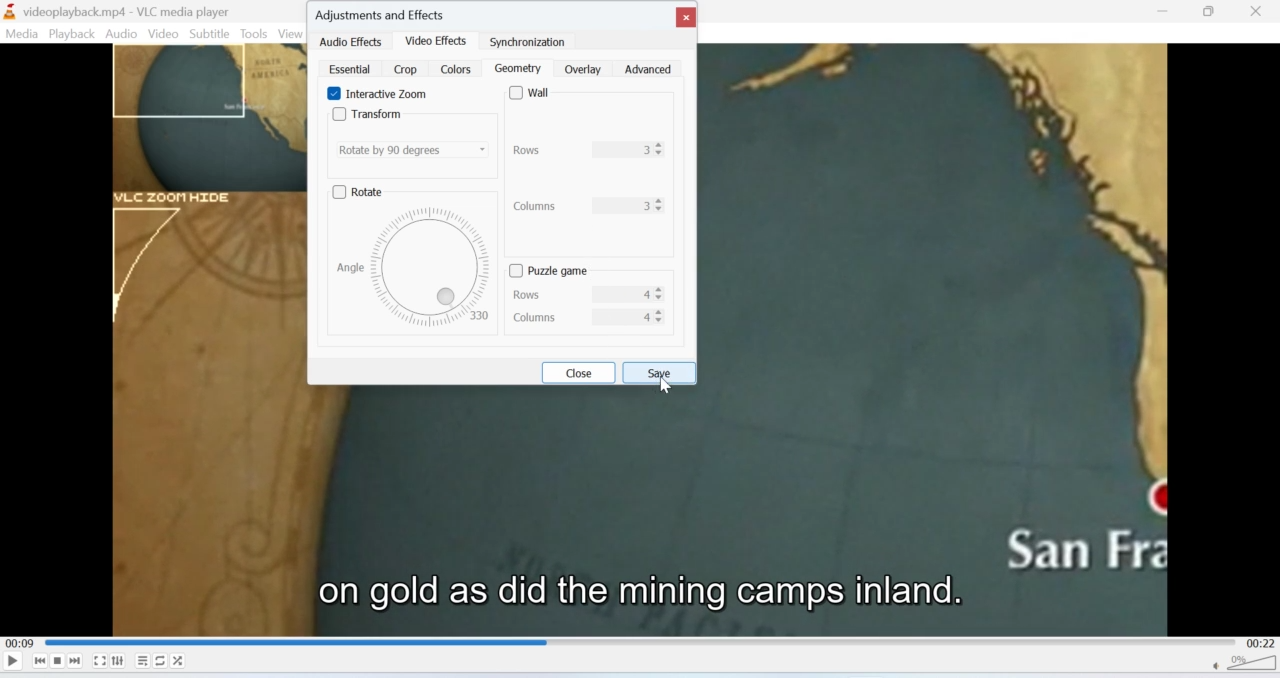 The height and width of the screenshot is (678, 1280). What do you see at coordinates (143, 661) in the screenshot?
I see `Playlist` at bounding box center [143, 661].